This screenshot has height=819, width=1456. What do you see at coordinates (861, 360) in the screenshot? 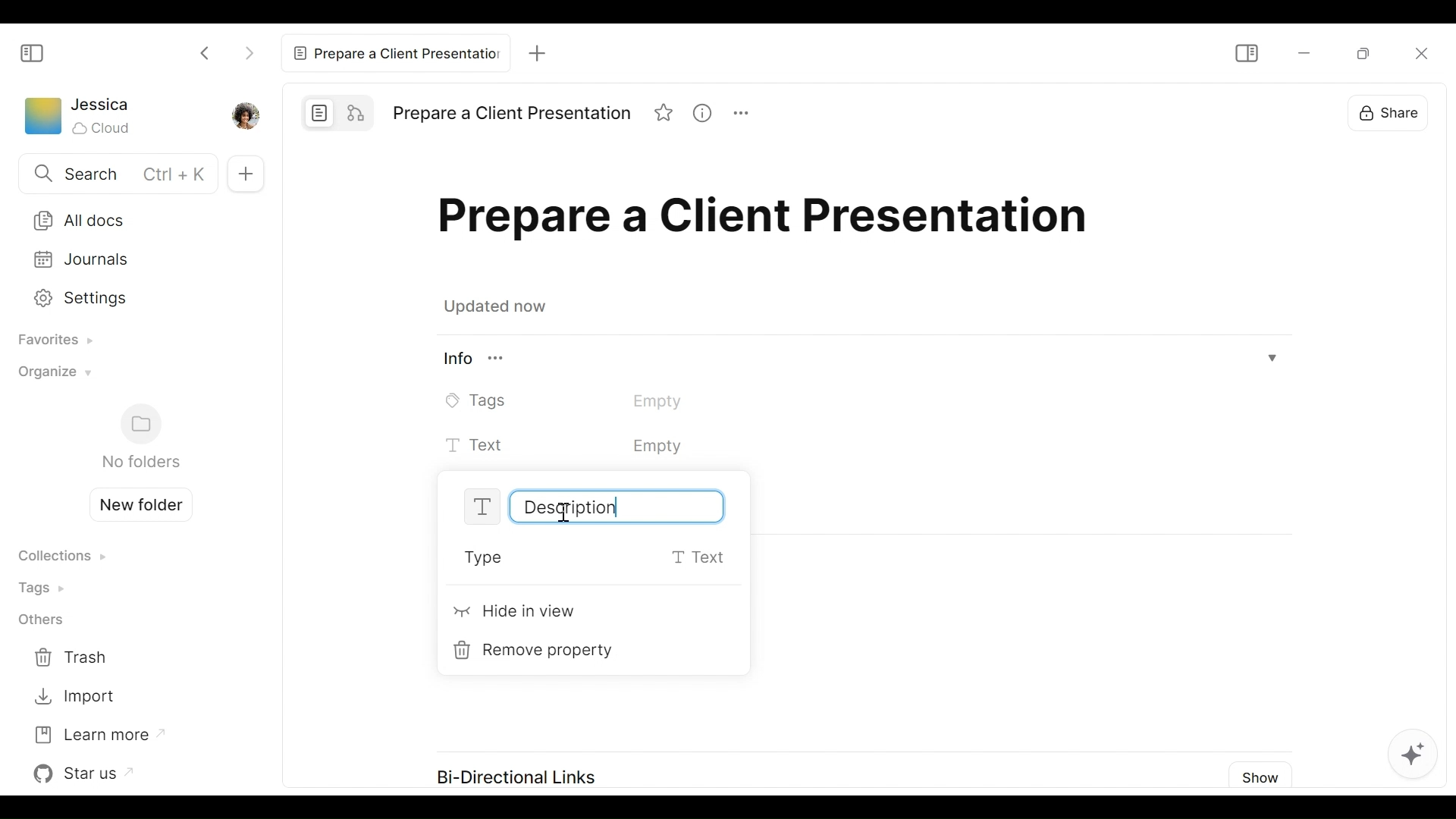
I see `View Information` at bounding box center [861, 360].